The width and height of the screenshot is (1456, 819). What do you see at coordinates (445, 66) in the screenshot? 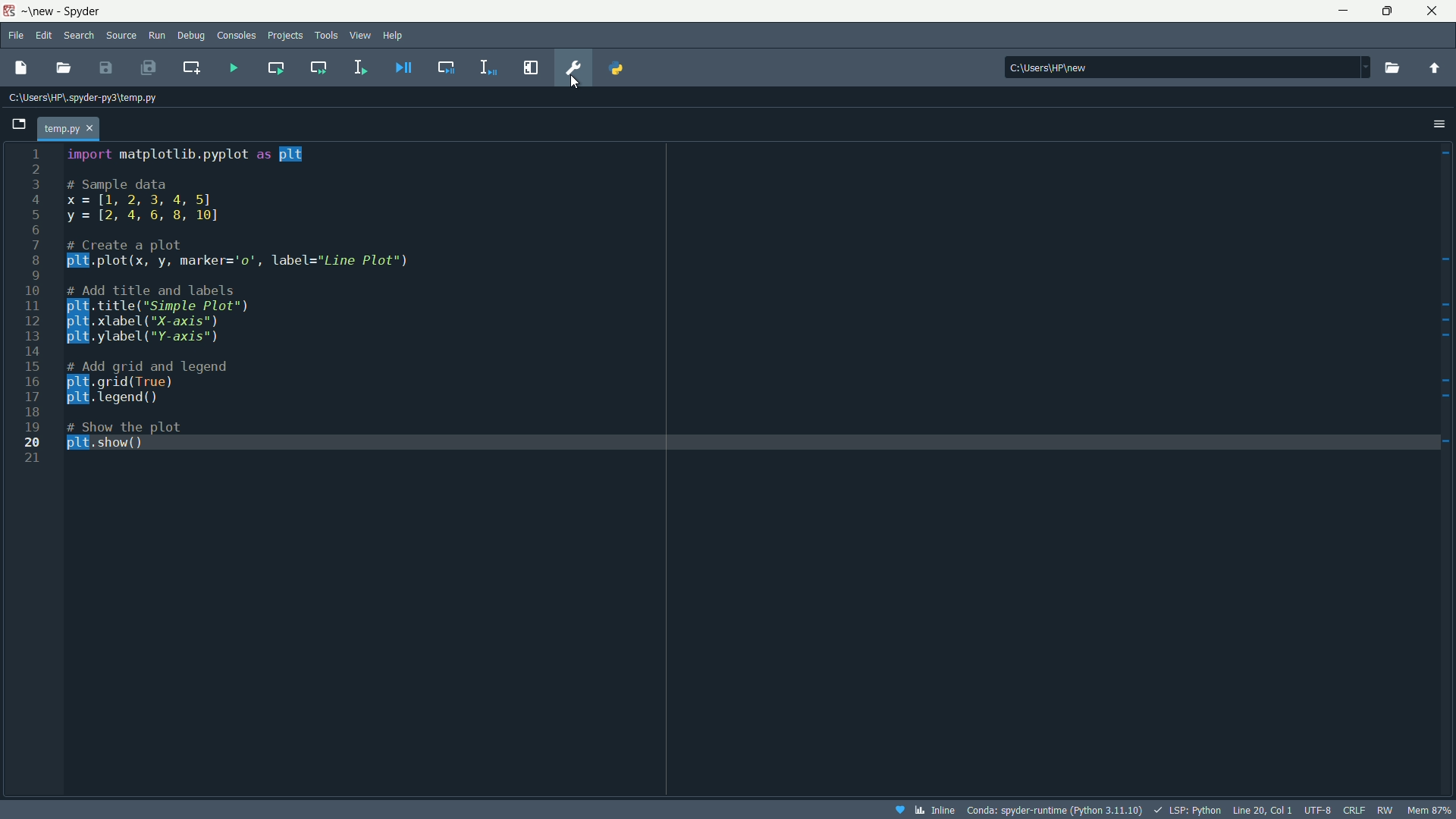
I see `debug cell` at bounding box center [445, 66].